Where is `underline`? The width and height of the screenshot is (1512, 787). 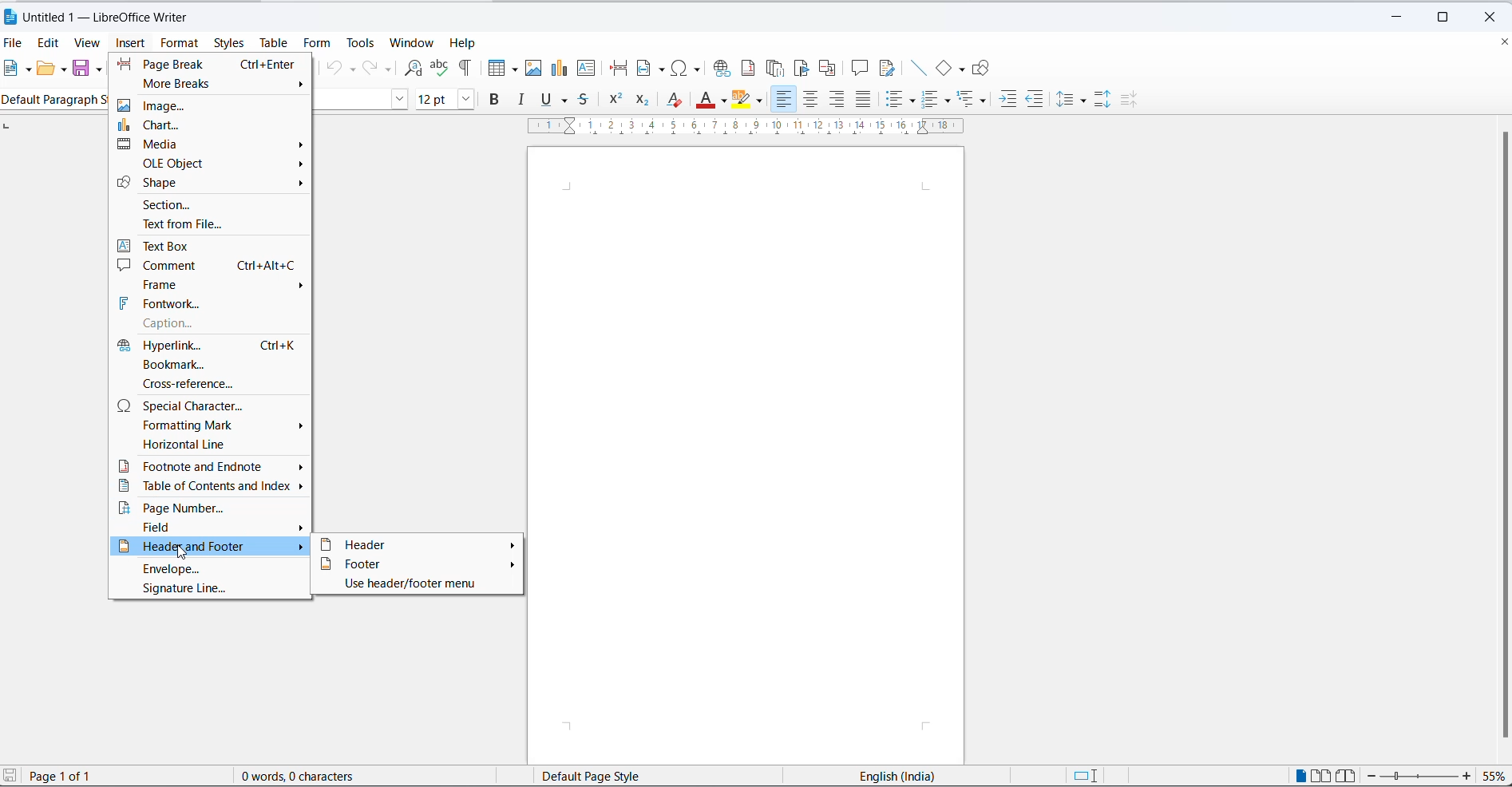 underline is located at coordinates (566, 101).